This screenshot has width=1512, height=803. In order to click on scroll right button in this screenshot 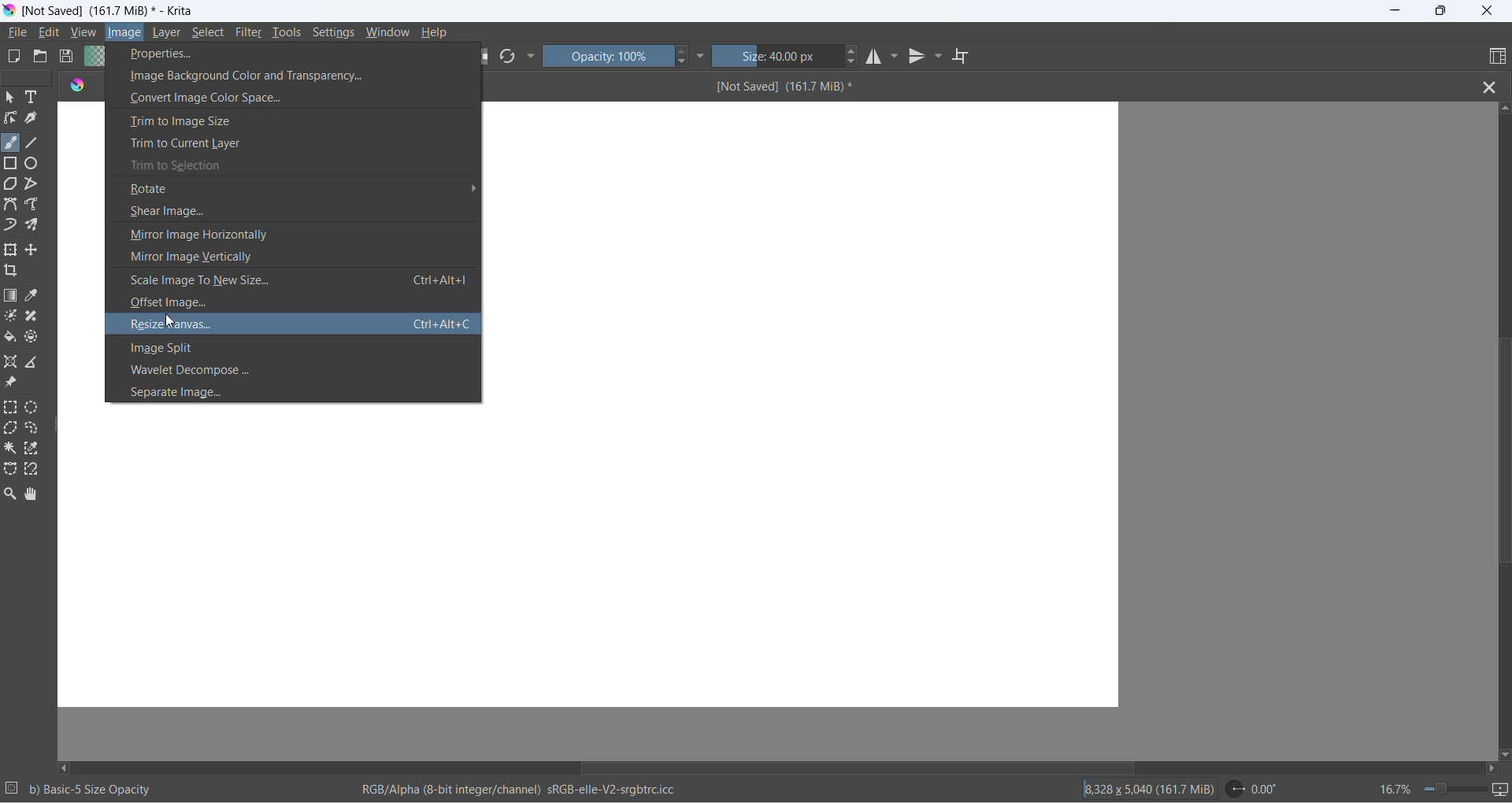, I will do `click(1490, 768)`.